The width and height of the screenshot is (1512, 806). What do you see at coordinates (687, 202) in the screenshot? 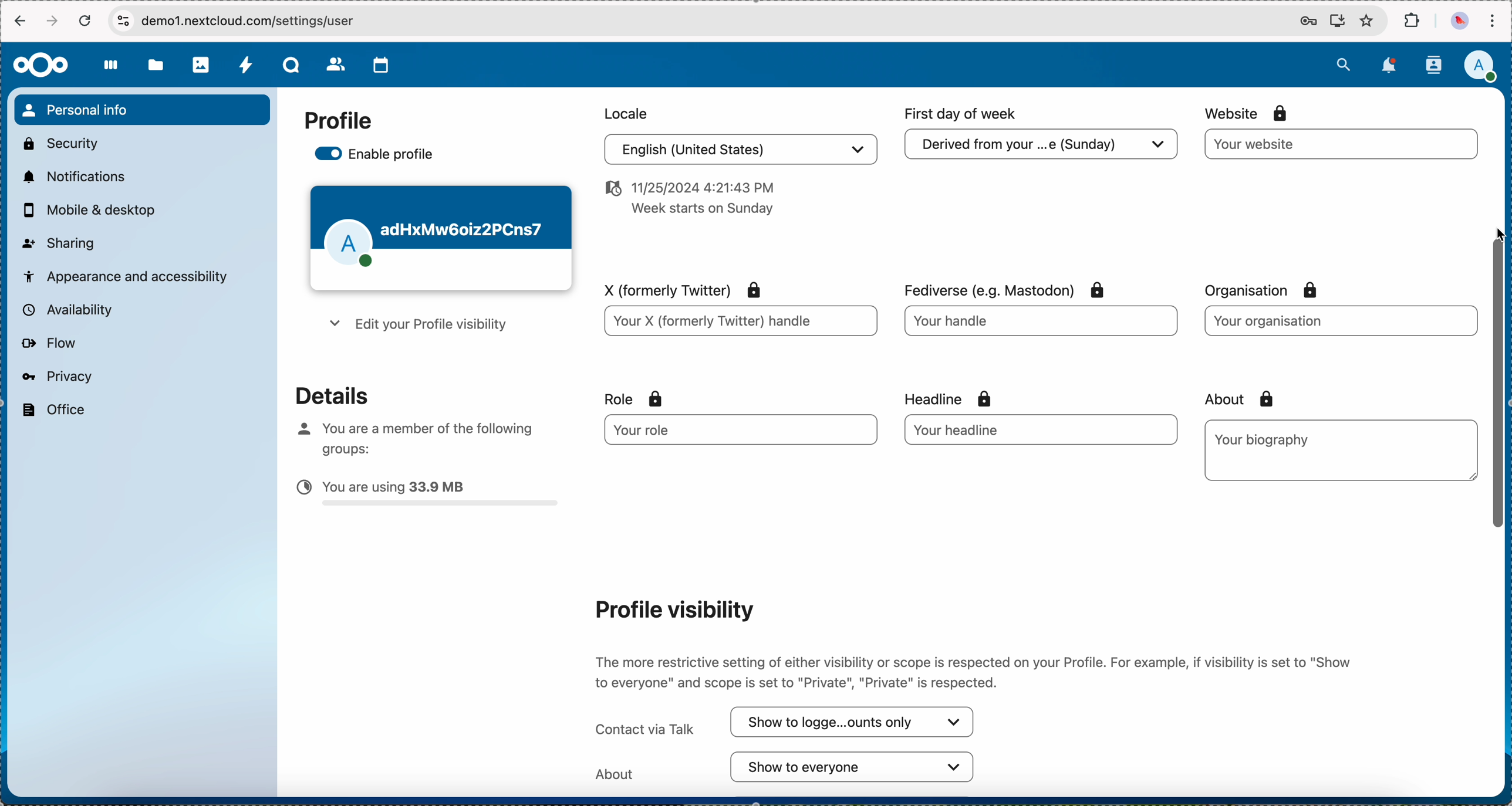
I see `date and hour` at bounding box center [687, 202].